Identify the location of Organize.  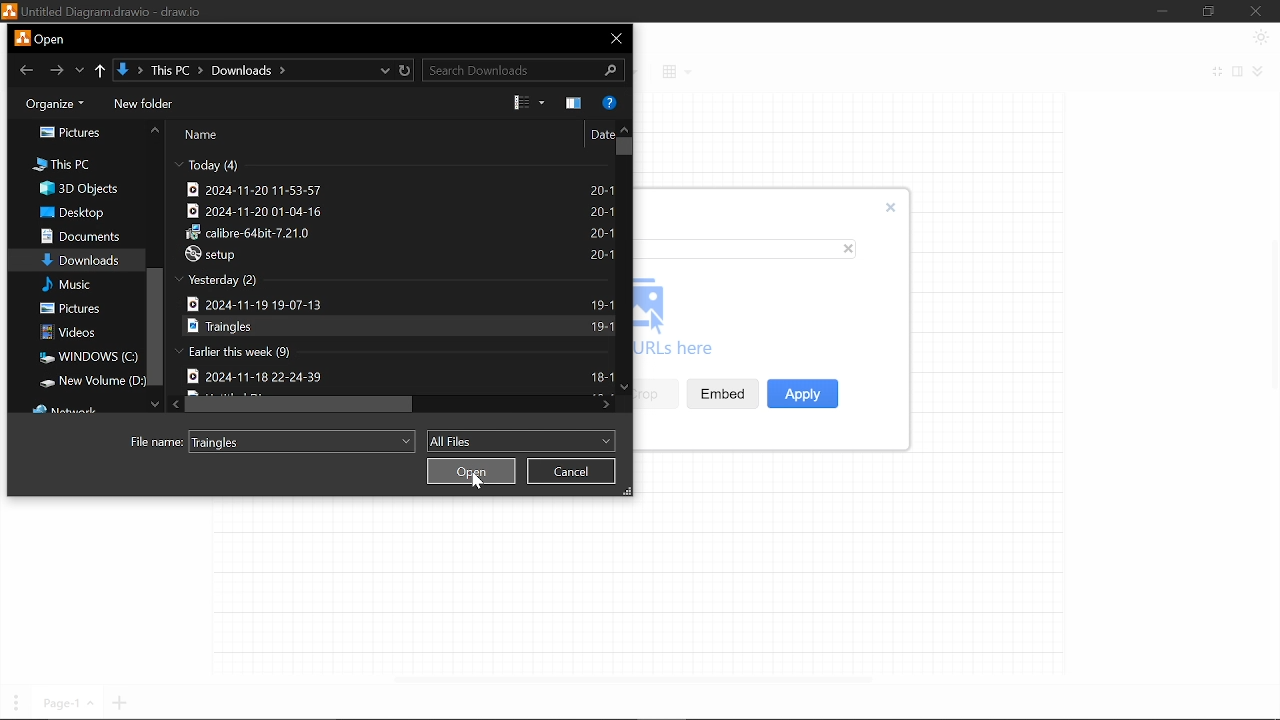
(56, 105).